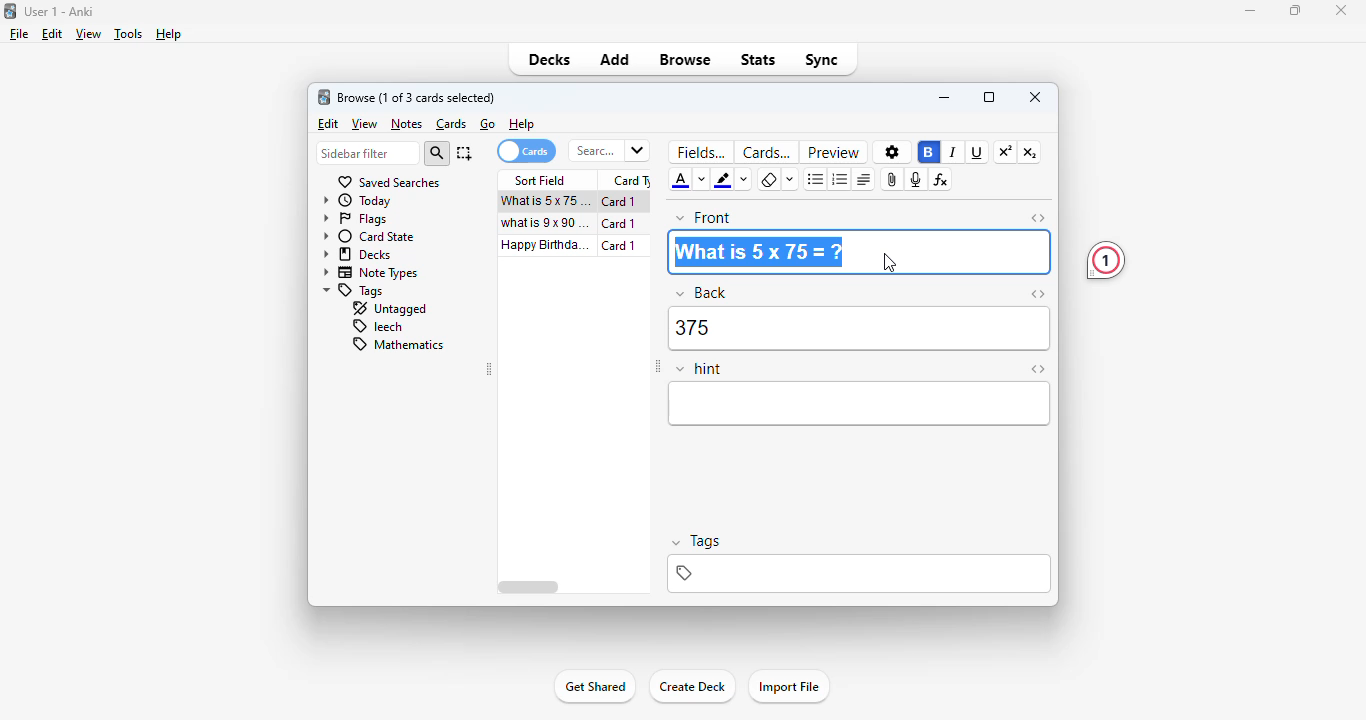 This screenshot has width=1366, height=720. I want to click on tools, so click(130, 34).